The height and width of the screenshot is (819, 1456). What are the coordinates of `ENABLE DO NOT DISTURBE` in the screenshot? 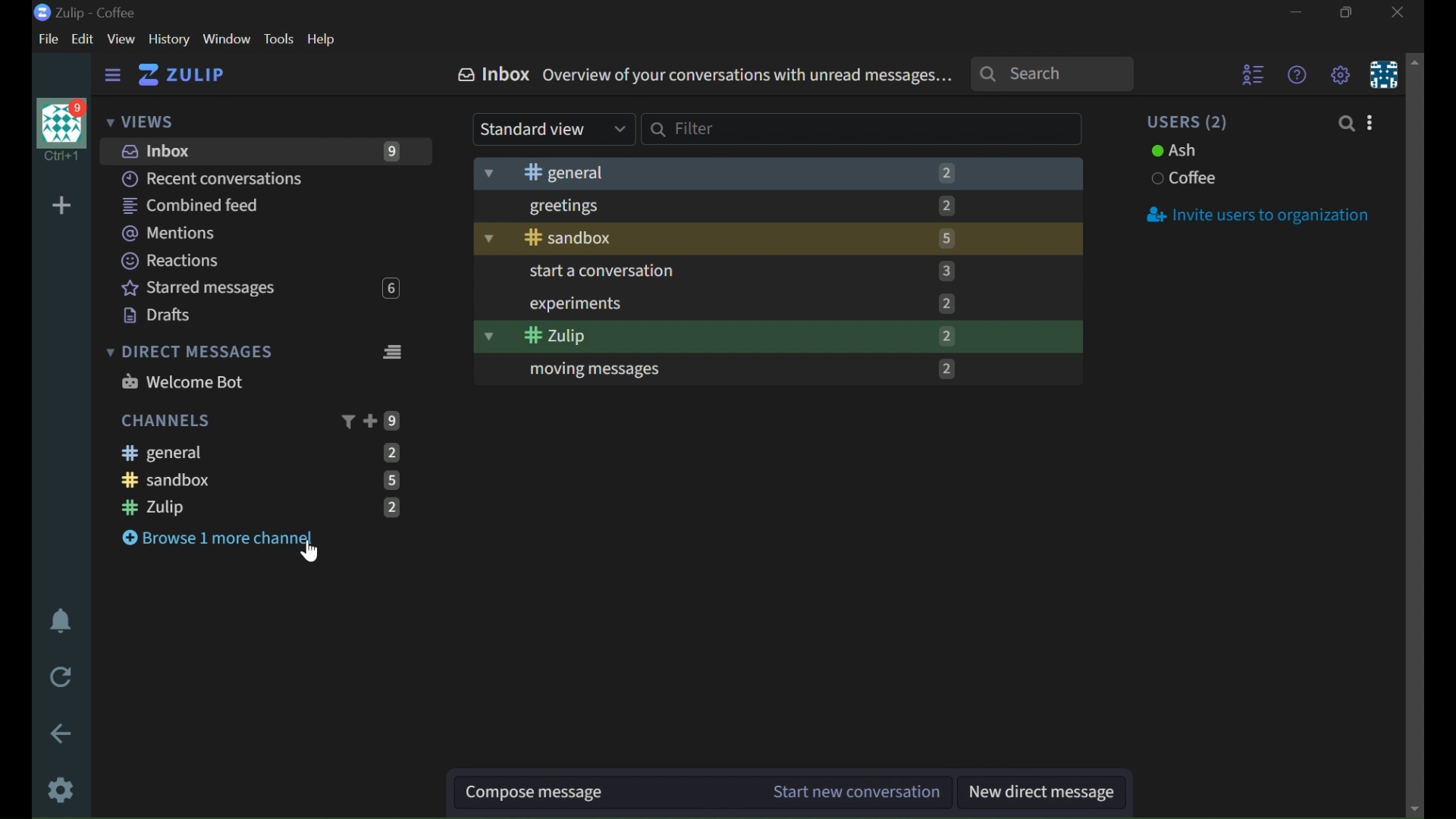 It's located at (61, 623).